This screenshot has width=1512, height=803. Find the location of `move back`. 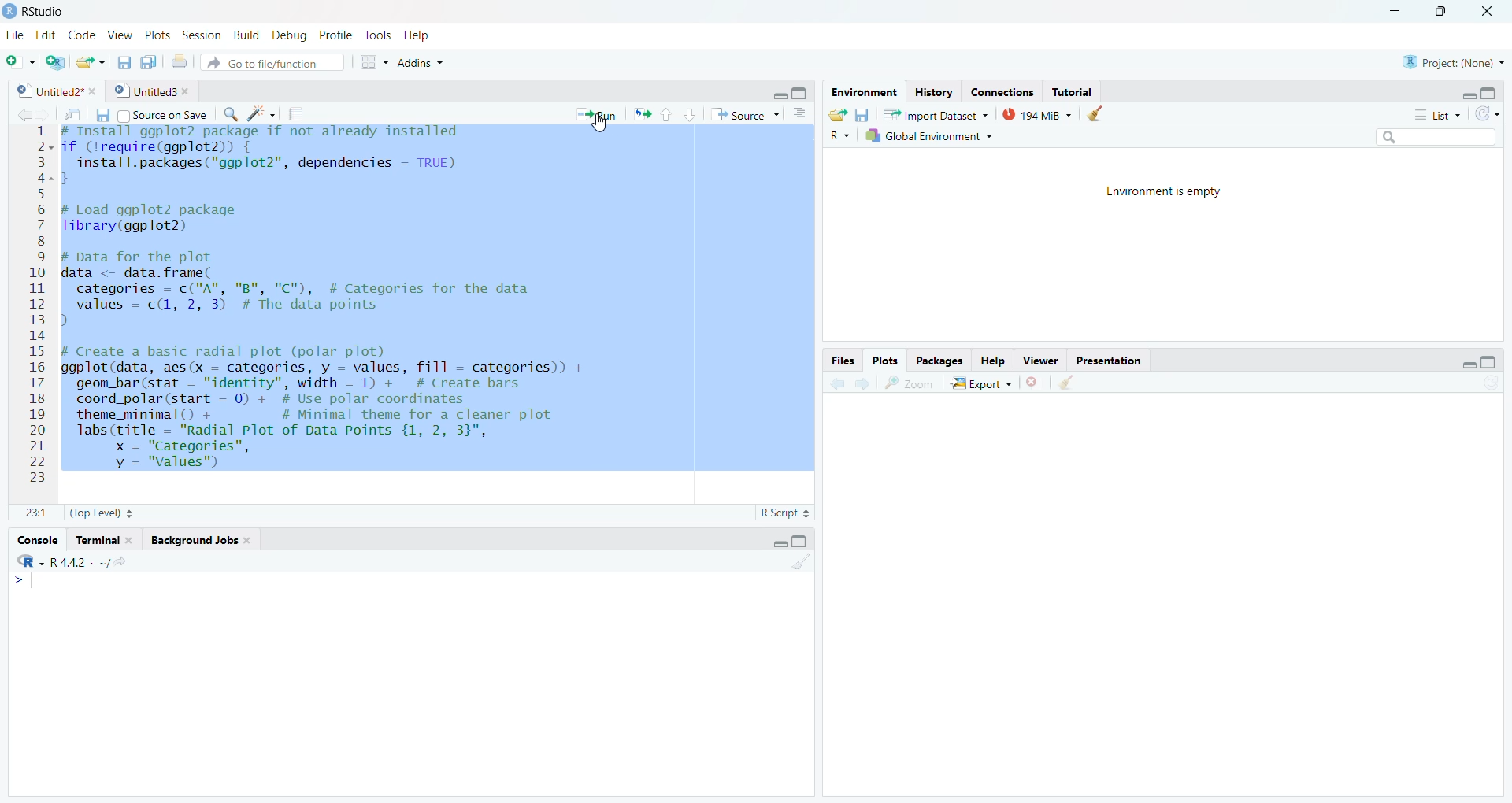

move back is located at coordinates (839, 383).